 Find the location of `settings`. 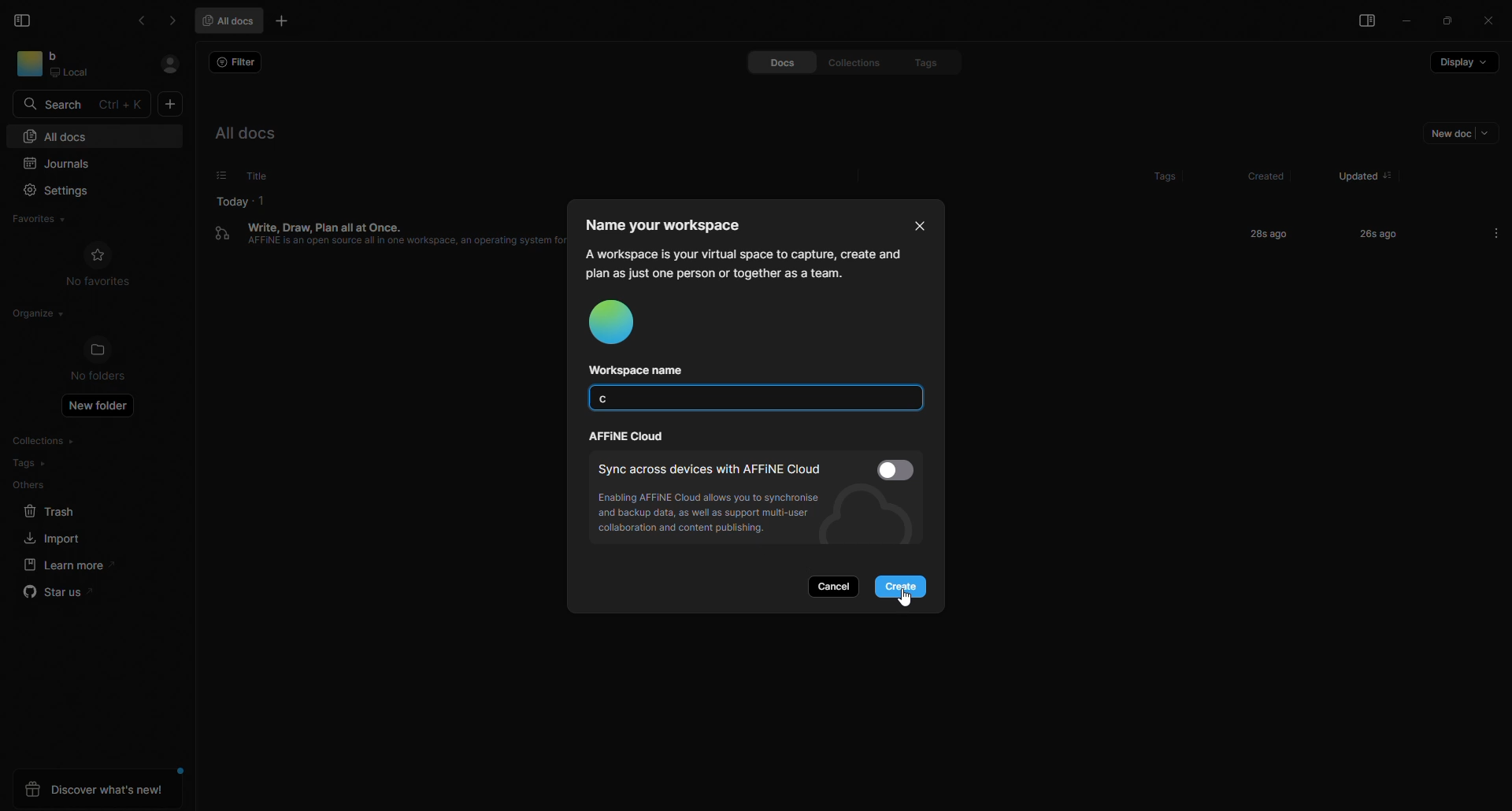

settings is located at coordinates (61, 189).